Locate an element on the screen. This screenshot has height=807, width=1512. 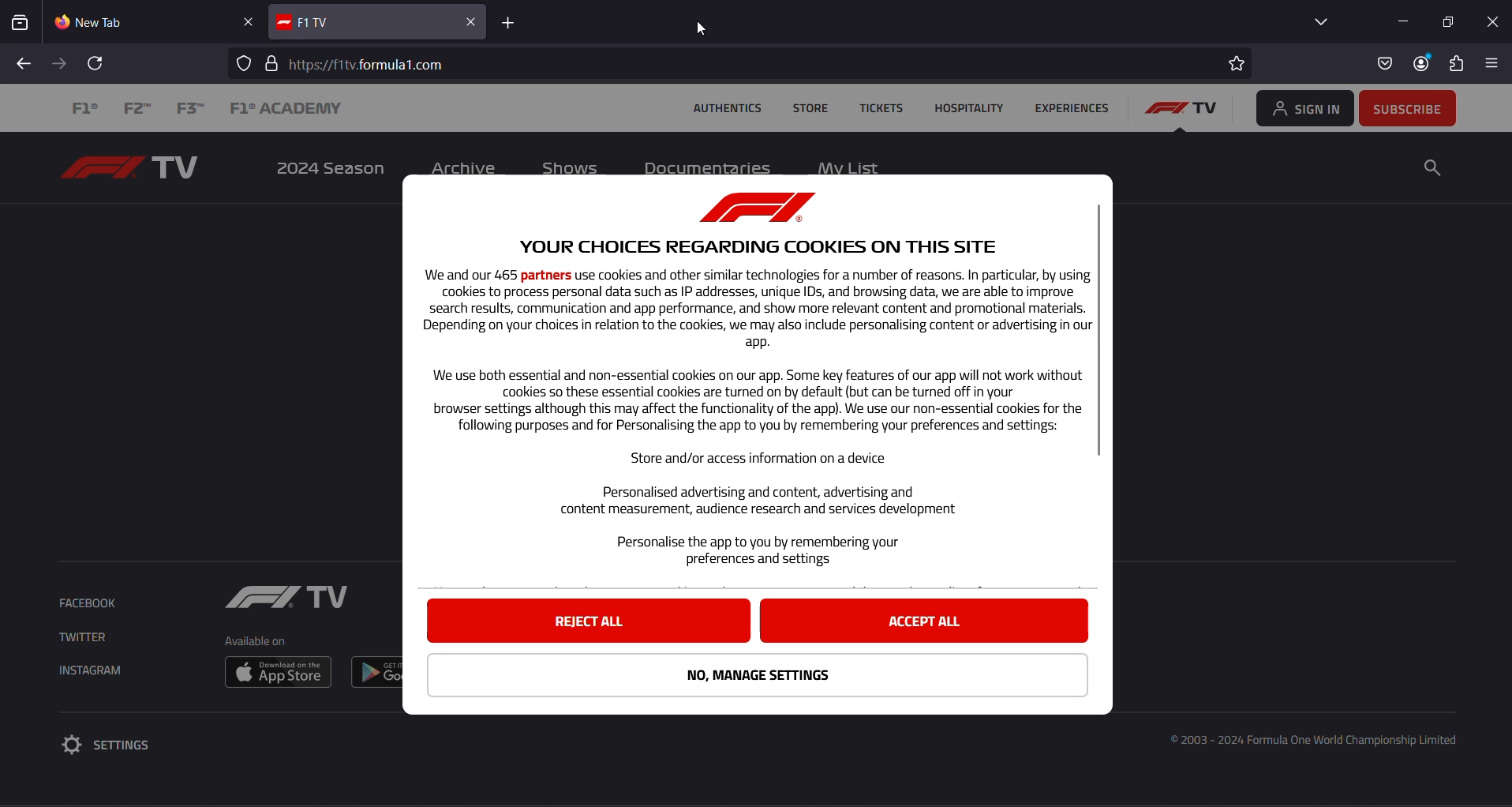
store is located at coordinates (811, 110).